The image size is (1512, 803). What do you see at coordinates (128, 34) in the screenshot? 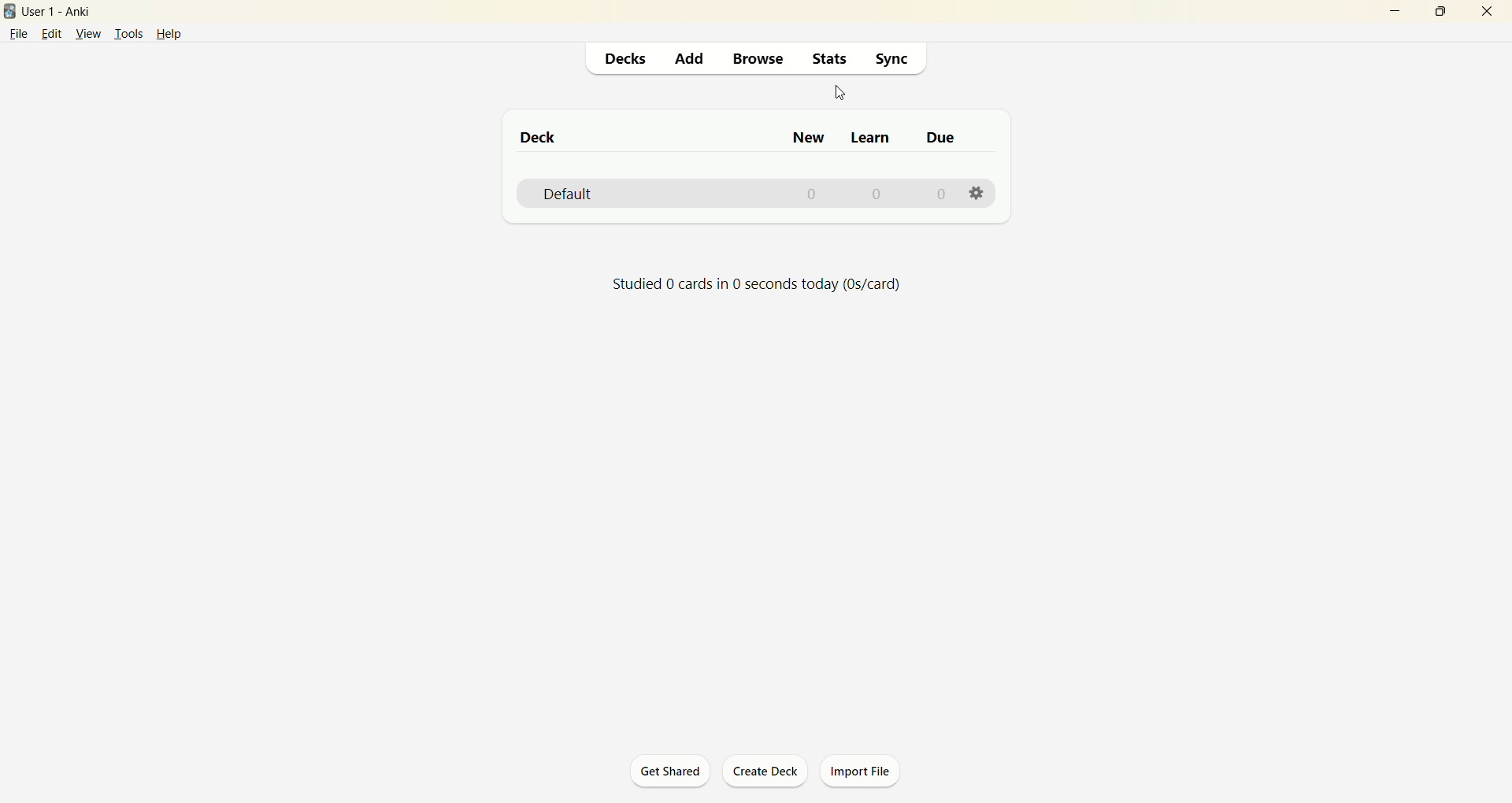
I see `tools` at bounding box center [128, 34].